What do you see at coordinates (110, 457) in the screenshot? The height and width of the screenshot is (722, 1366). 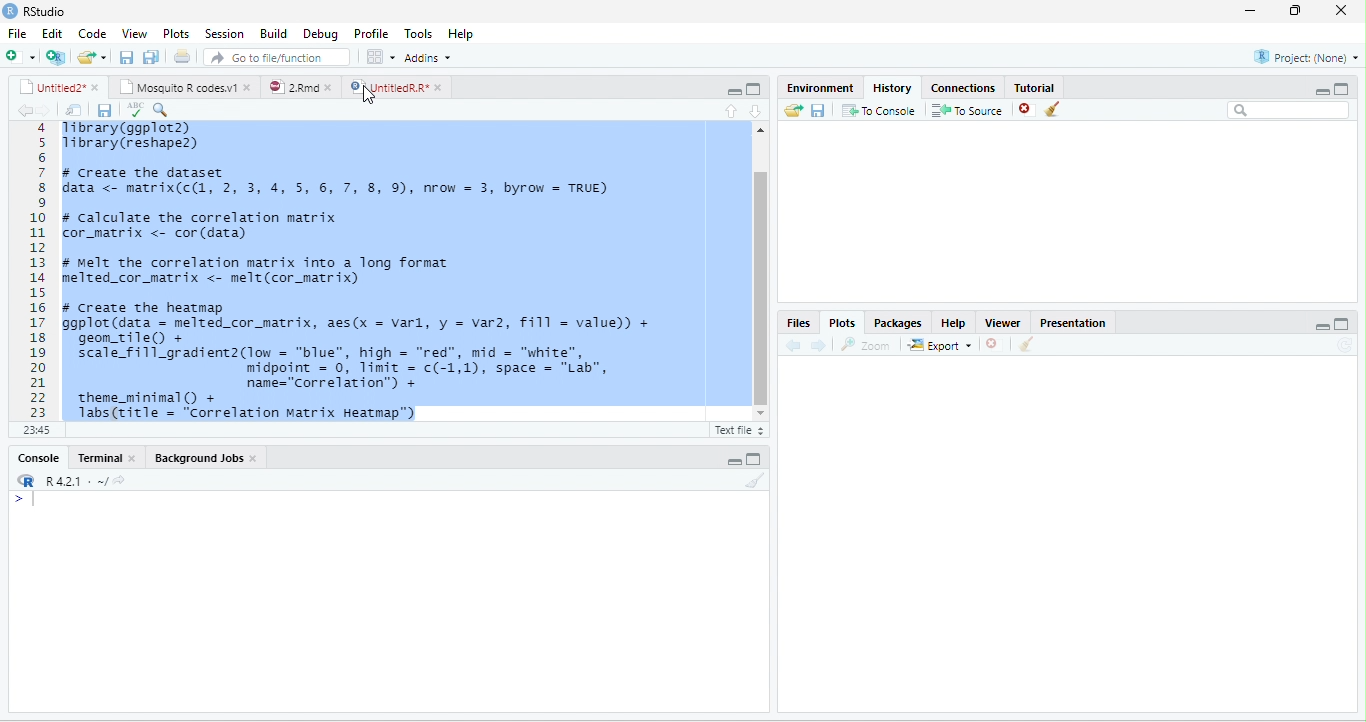 I see `terminal` at bounding box center [110, 457].